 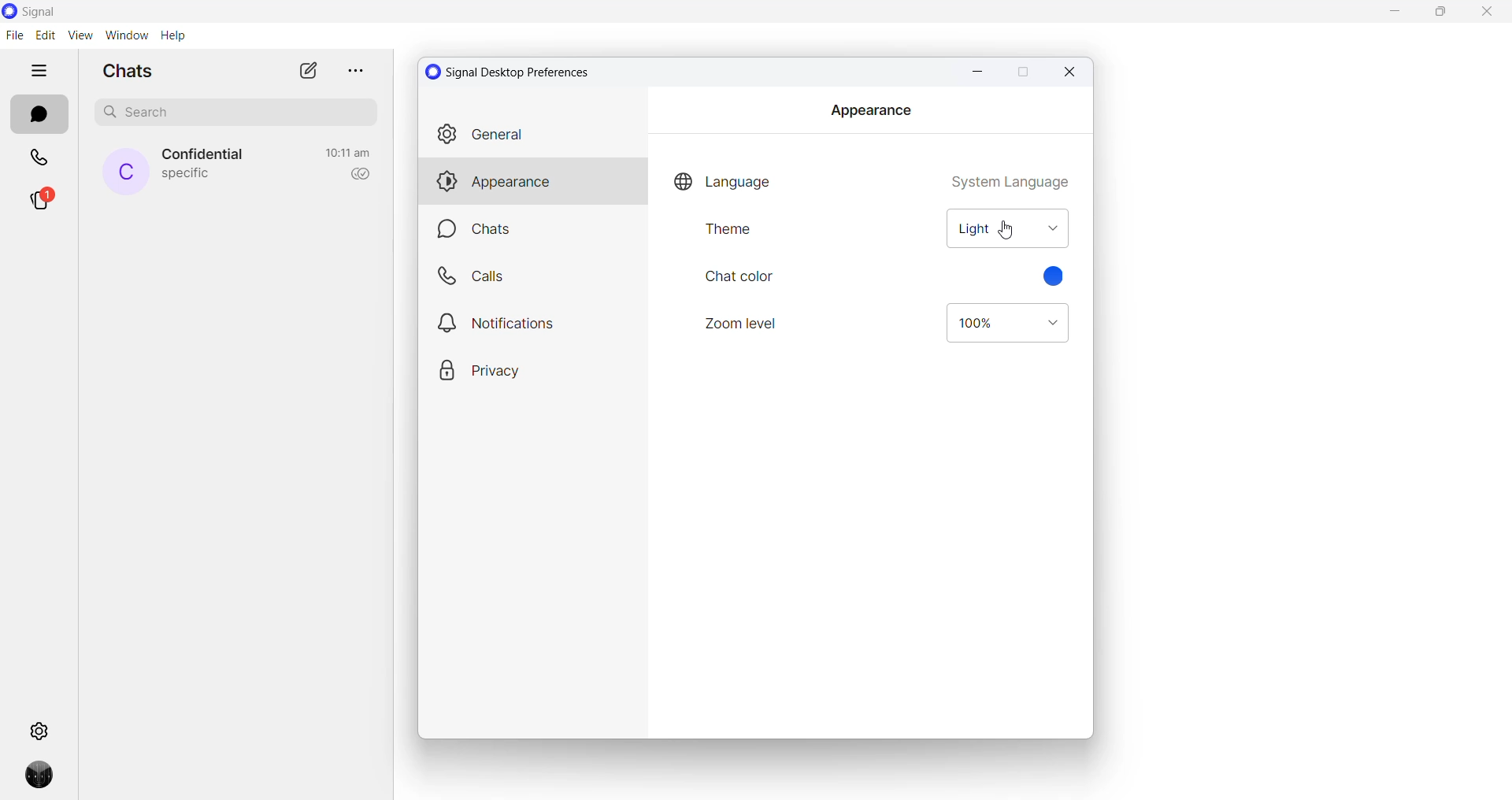 I want to click on hide tabs, so click(x=40, y=72).